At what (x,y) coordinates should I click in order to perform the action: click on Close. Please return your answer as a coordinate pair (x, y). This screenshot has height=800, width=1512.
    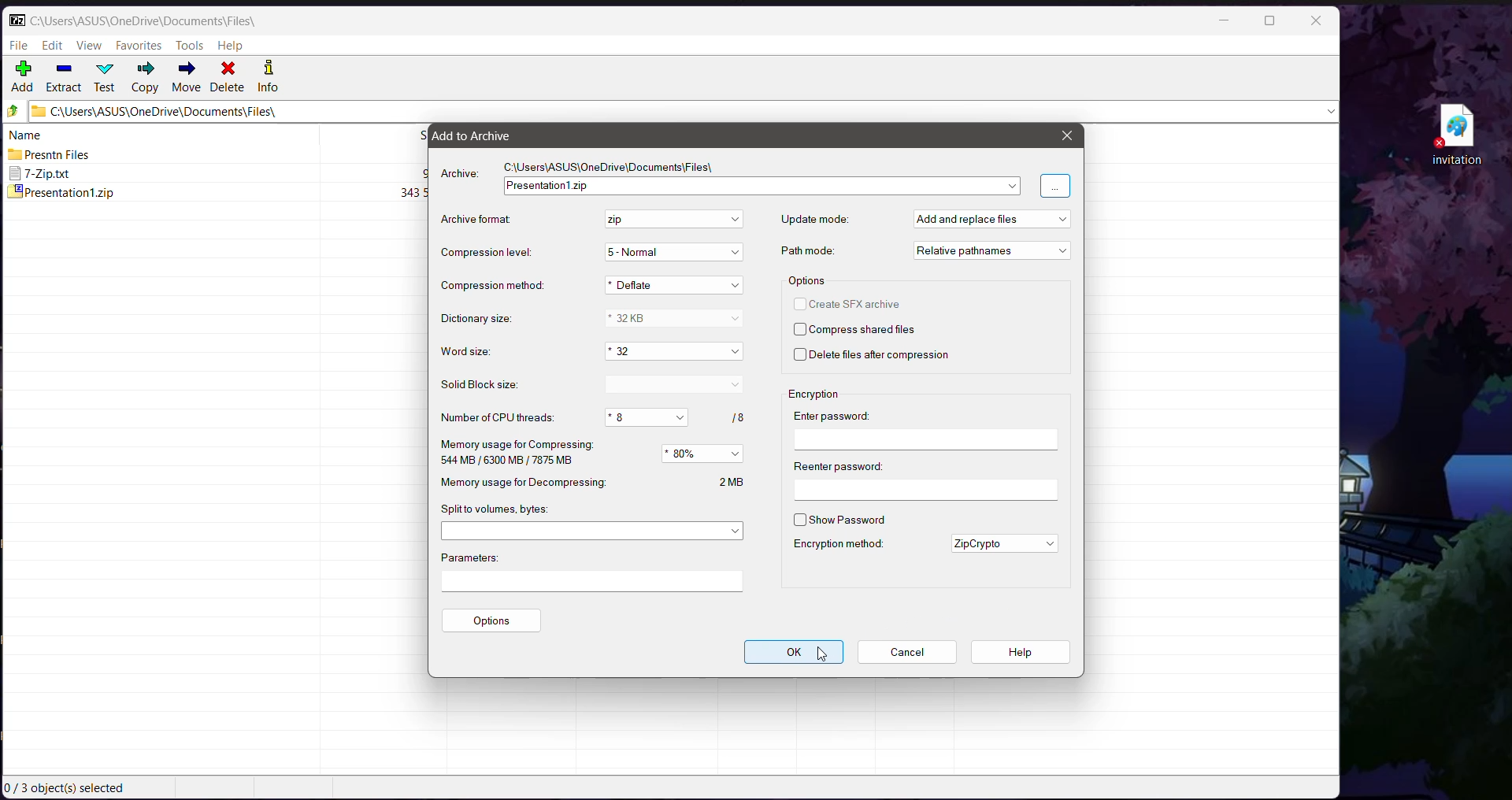
    Looking at the image, I should click on (1315, 22).